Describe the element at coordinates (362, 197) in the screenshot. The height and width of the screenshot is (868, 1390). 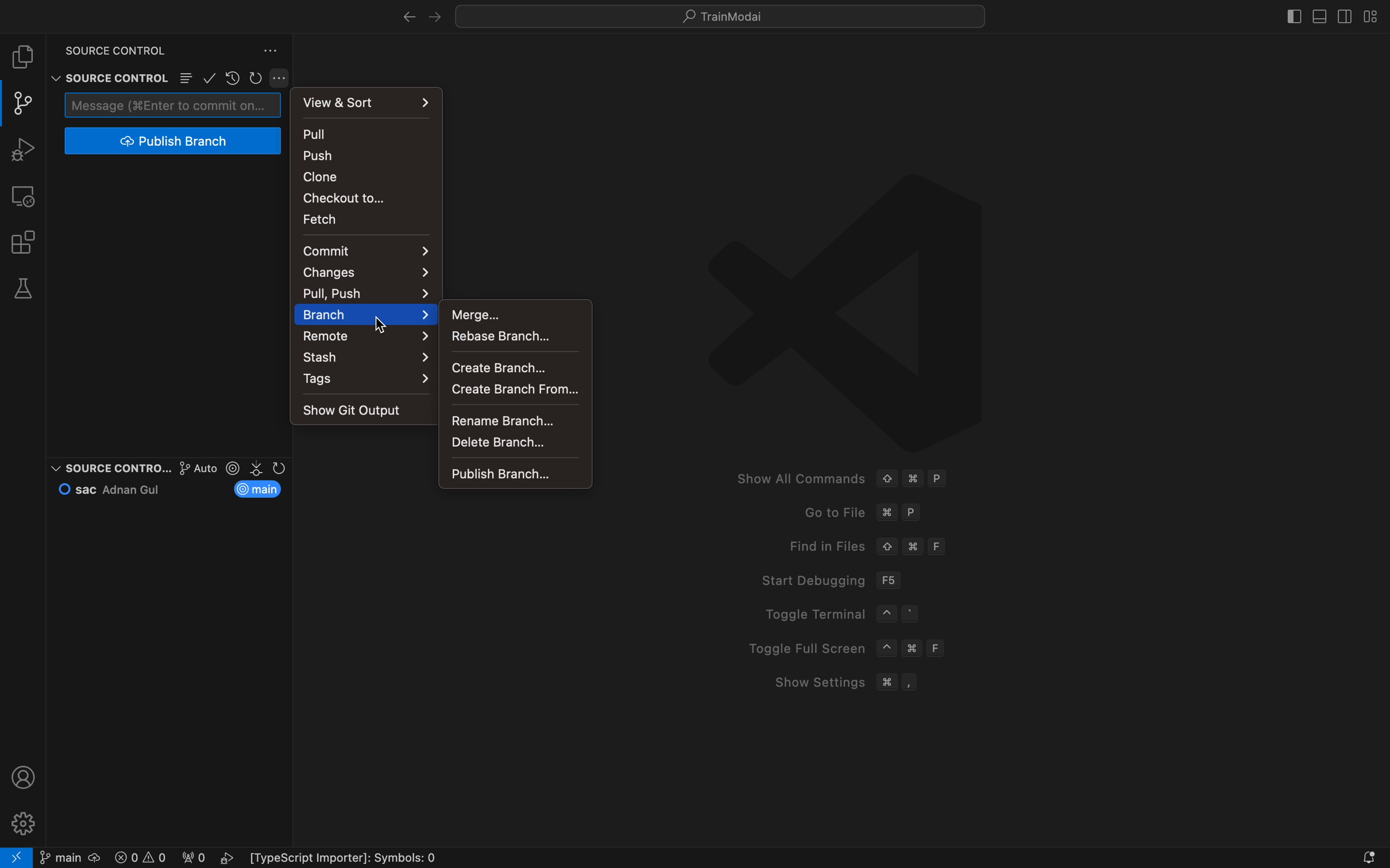
I see `checkout` at that location.